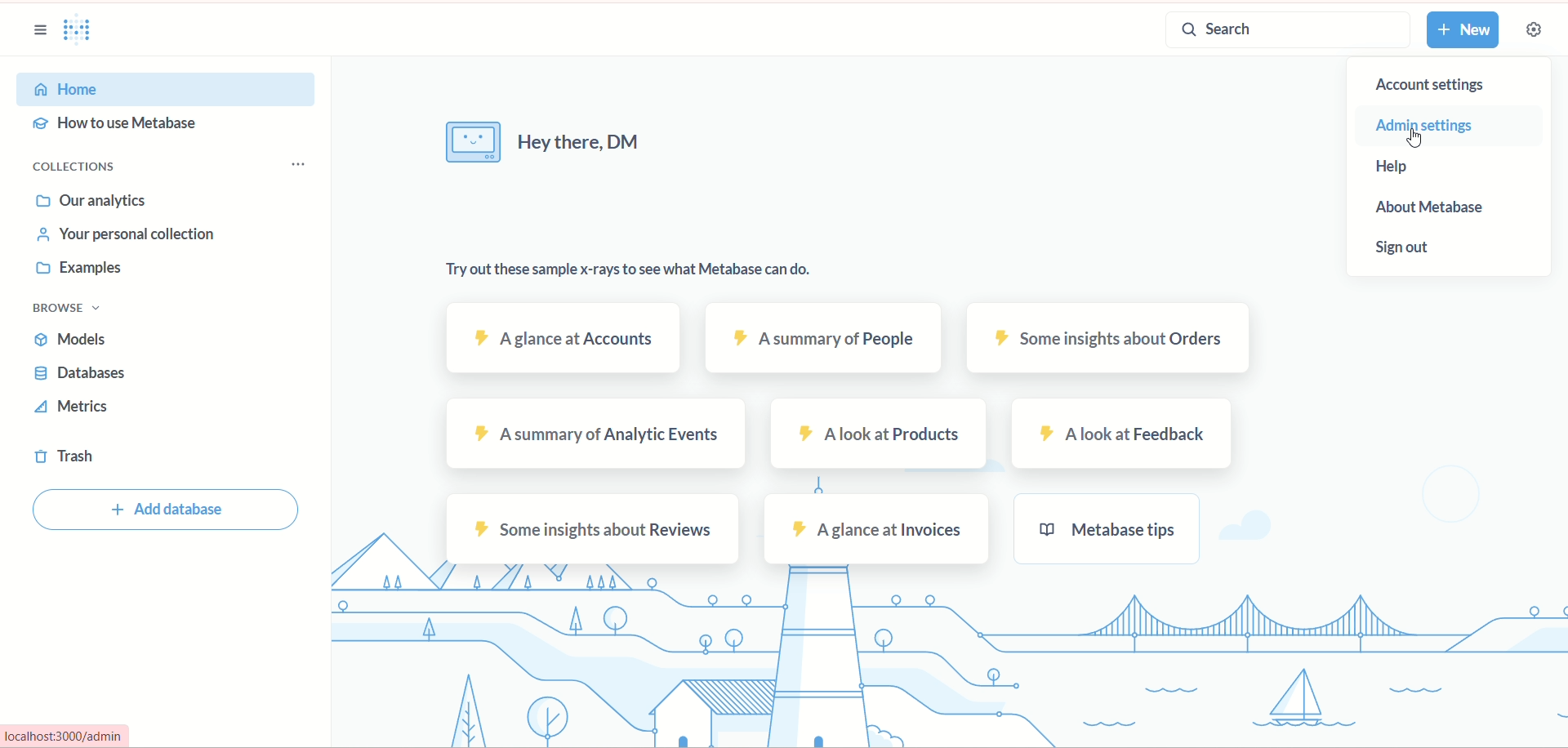 This screenshot has height=748, width=1568. Describe the element at coordinates (1111, 339) in the screenshot. I see `orders` at that location.